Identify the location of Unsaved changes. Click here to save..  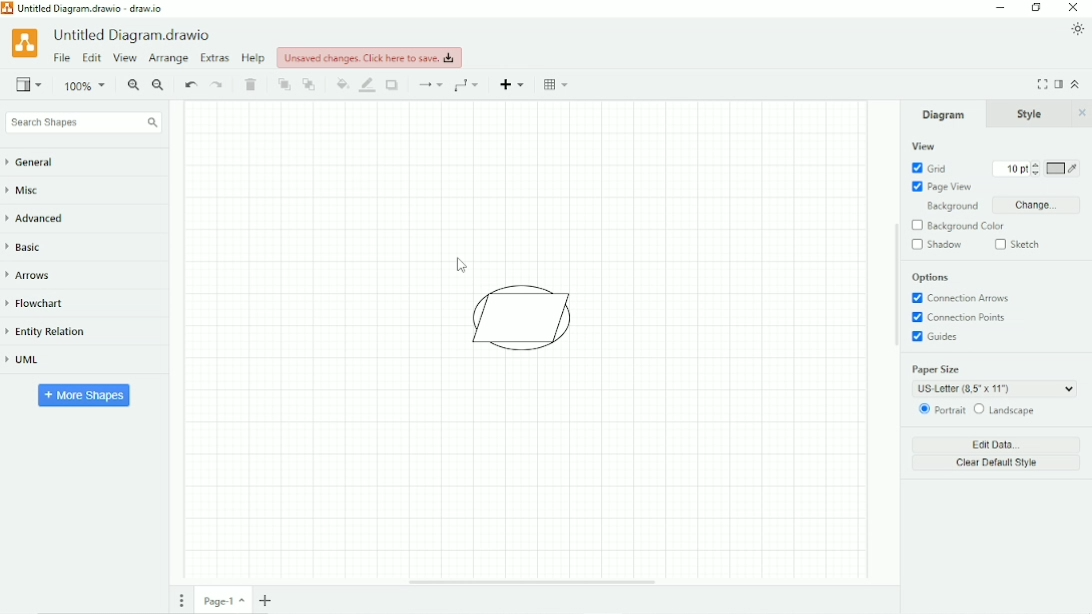
(370, 57).